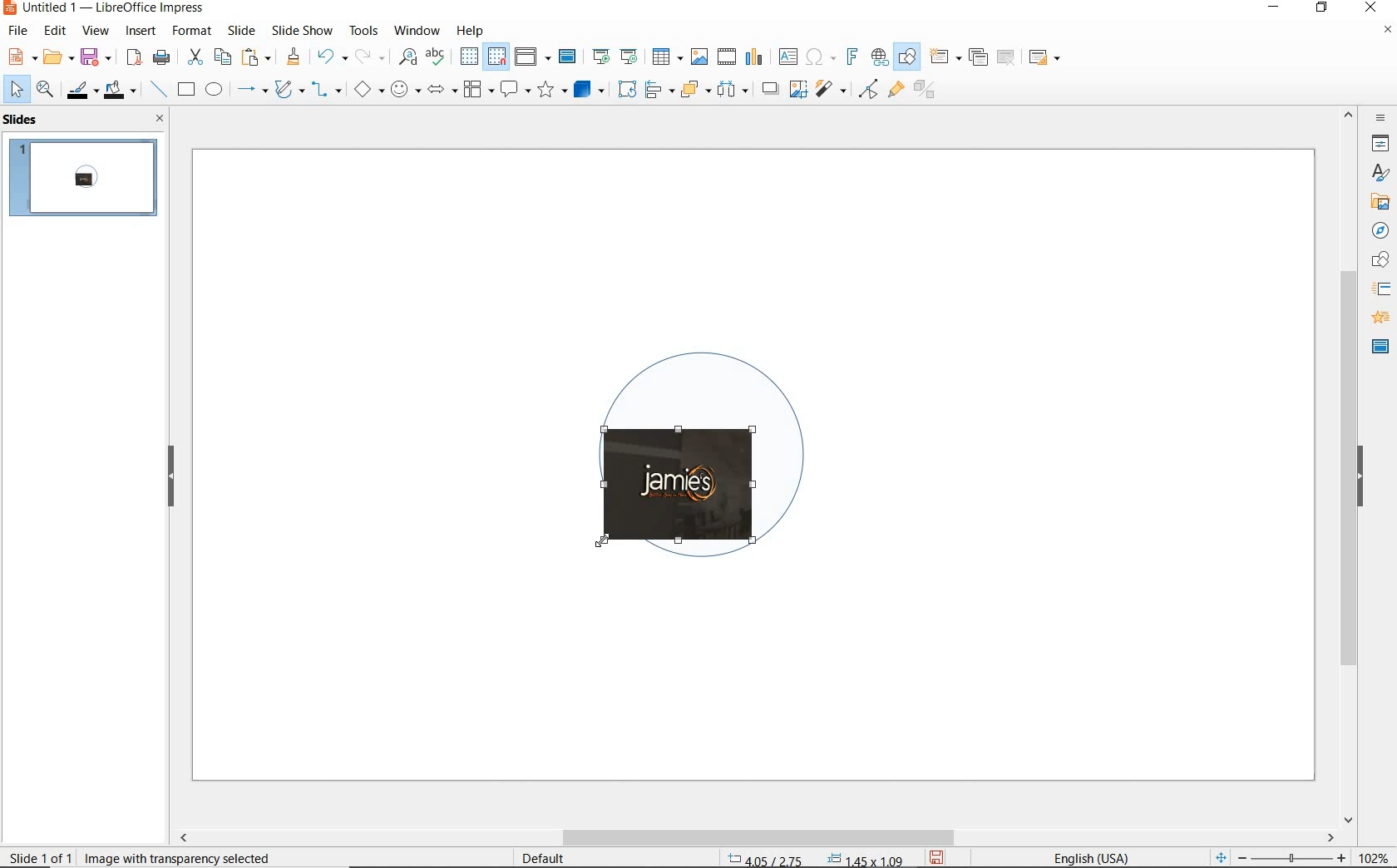  I want to click on slide show, so click(301, 30).